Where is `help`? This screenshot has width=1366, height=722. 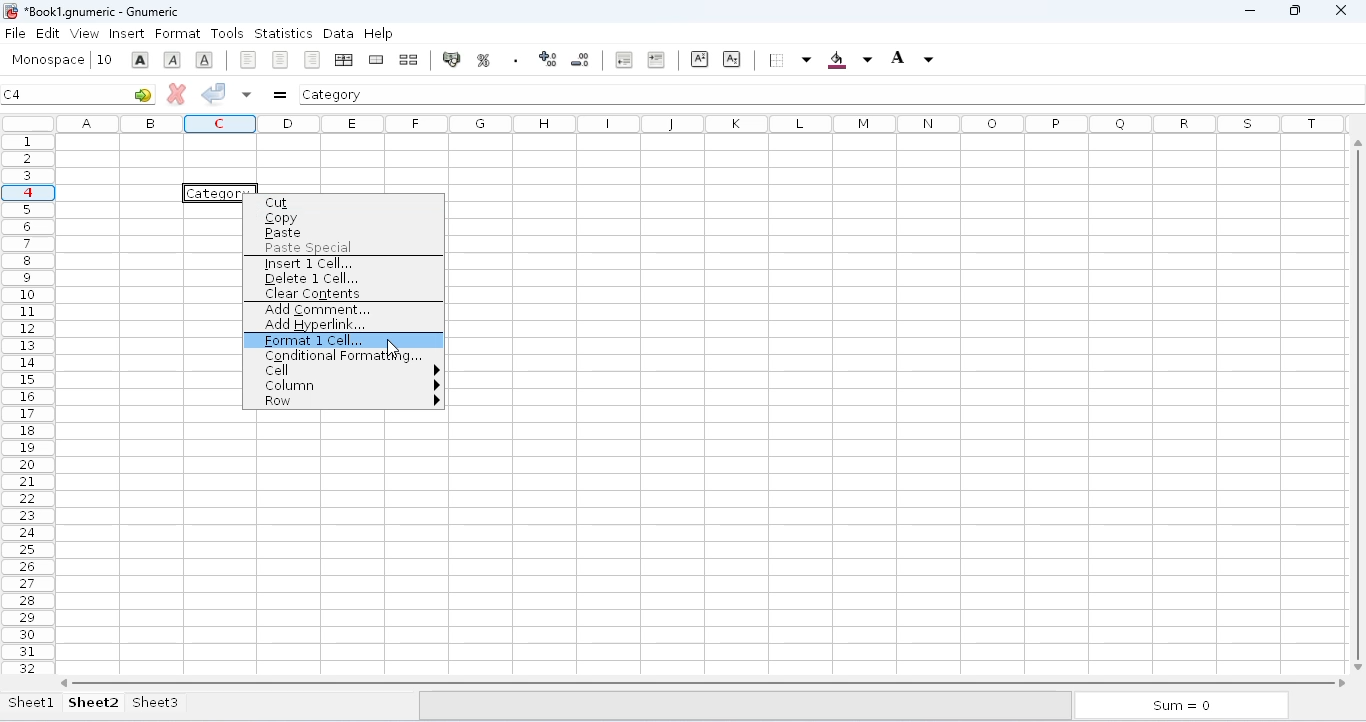
help is located at coordinates (378, 32).